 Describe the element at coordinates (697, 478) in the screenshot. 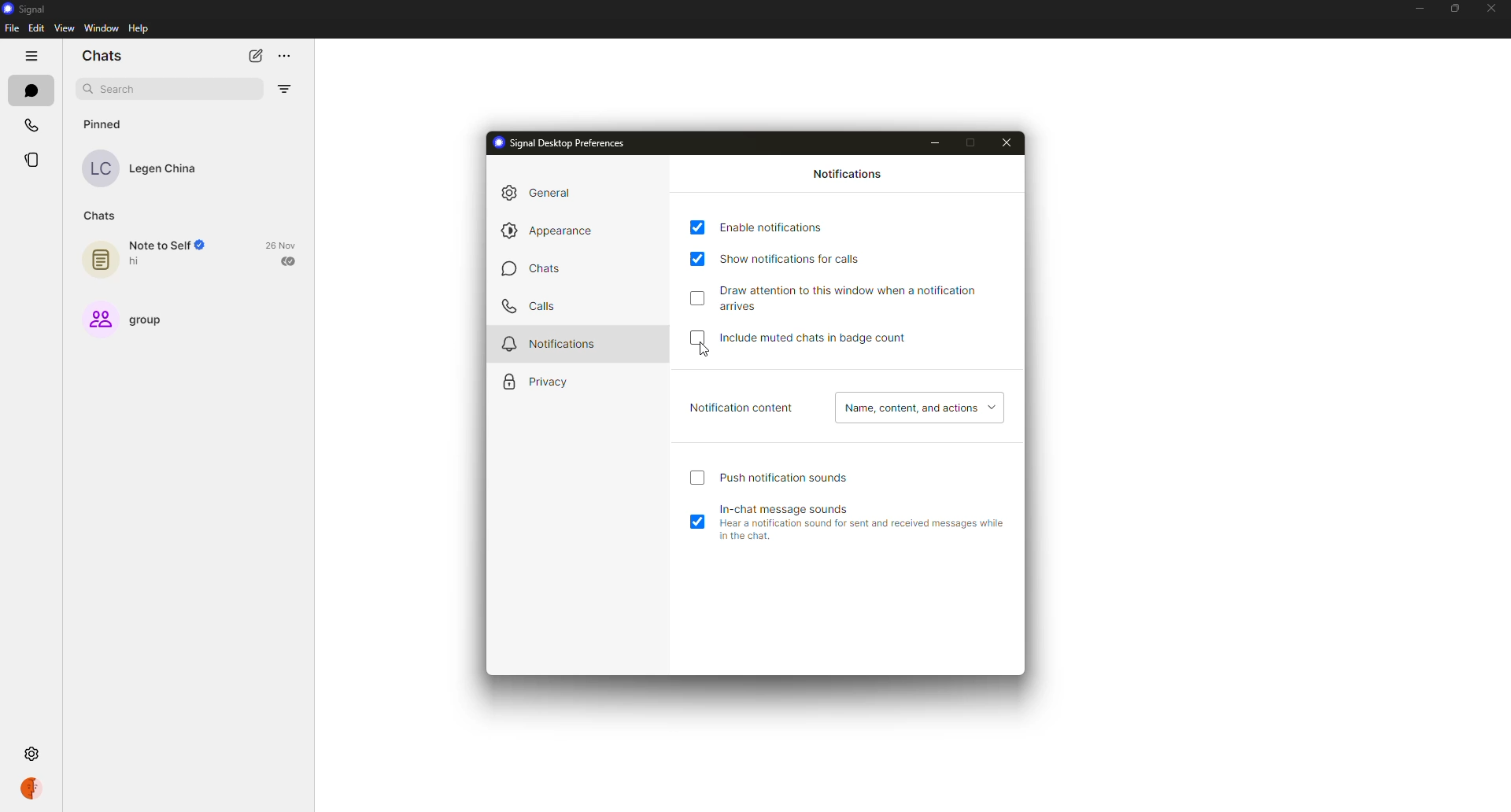

I see `click to enable` at that location.